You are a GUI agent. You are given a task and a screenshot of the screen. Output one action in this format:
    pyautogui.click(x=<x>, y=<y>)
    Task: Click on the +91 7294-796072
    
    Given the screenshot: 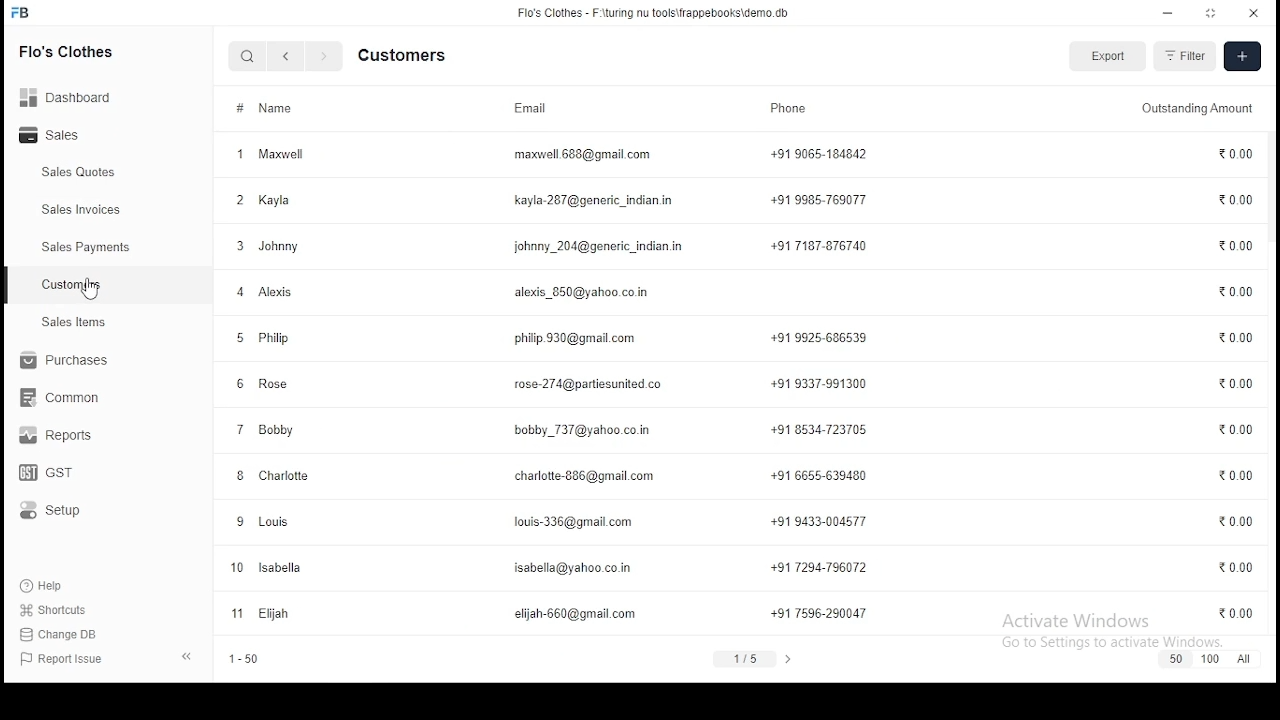 What is the action you would take?
    pyautogui.click(x=819, y=567)
    